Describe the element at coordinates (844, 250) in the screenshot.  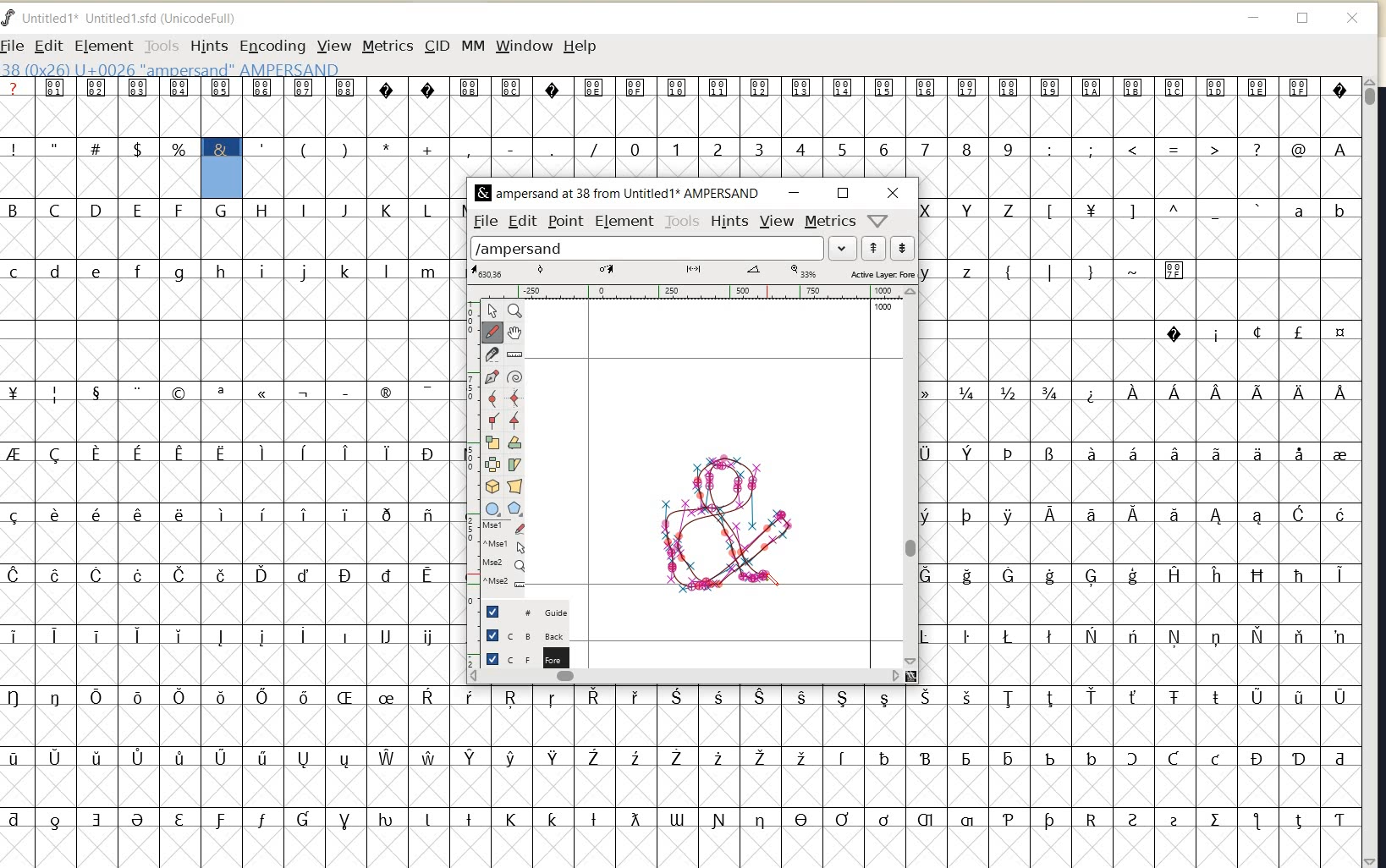
I see `expand` at that location.